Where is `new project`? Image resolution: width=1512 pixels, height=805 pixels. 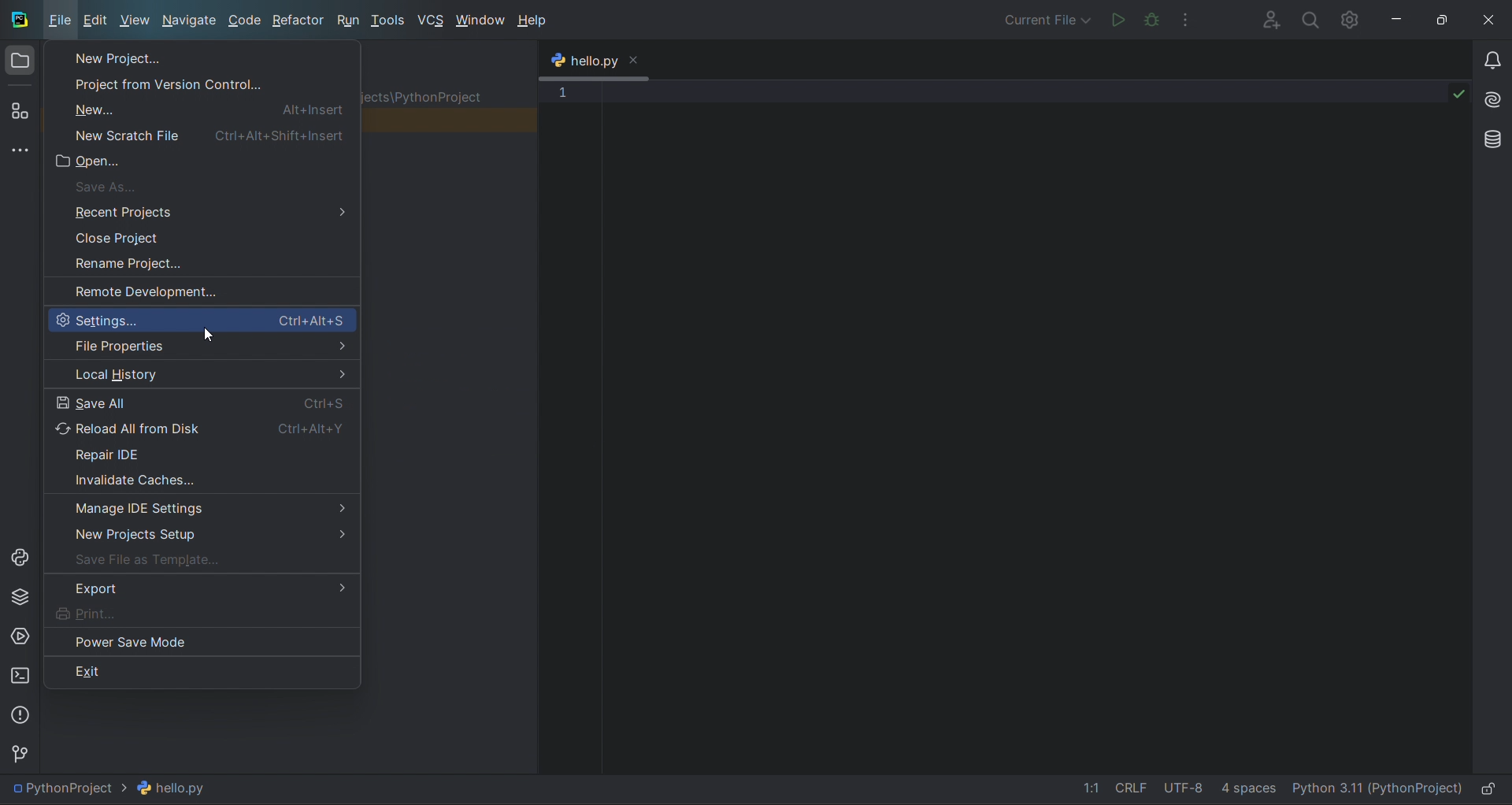
new project is located at coordinates (195, 57).